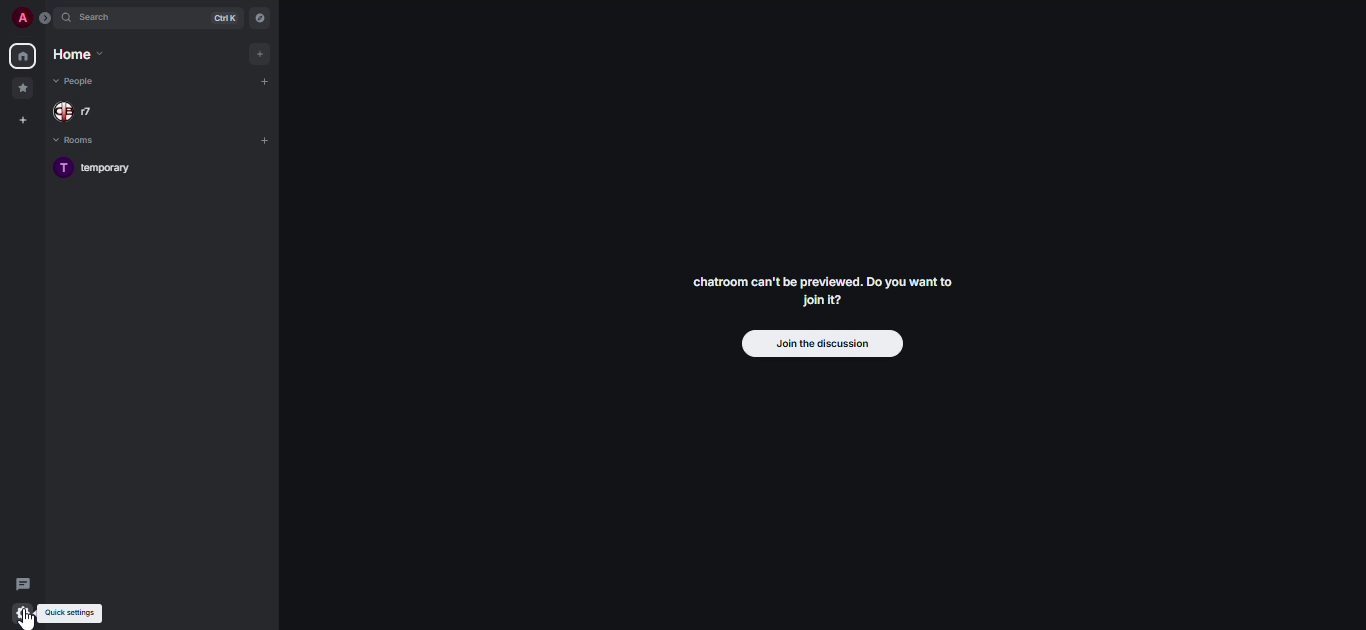 The width and height of the screenshot is (1366, 630). What do you see at coordinates (265, 143) in the screenshot?
I see `add` at bounding box center [265, 143].